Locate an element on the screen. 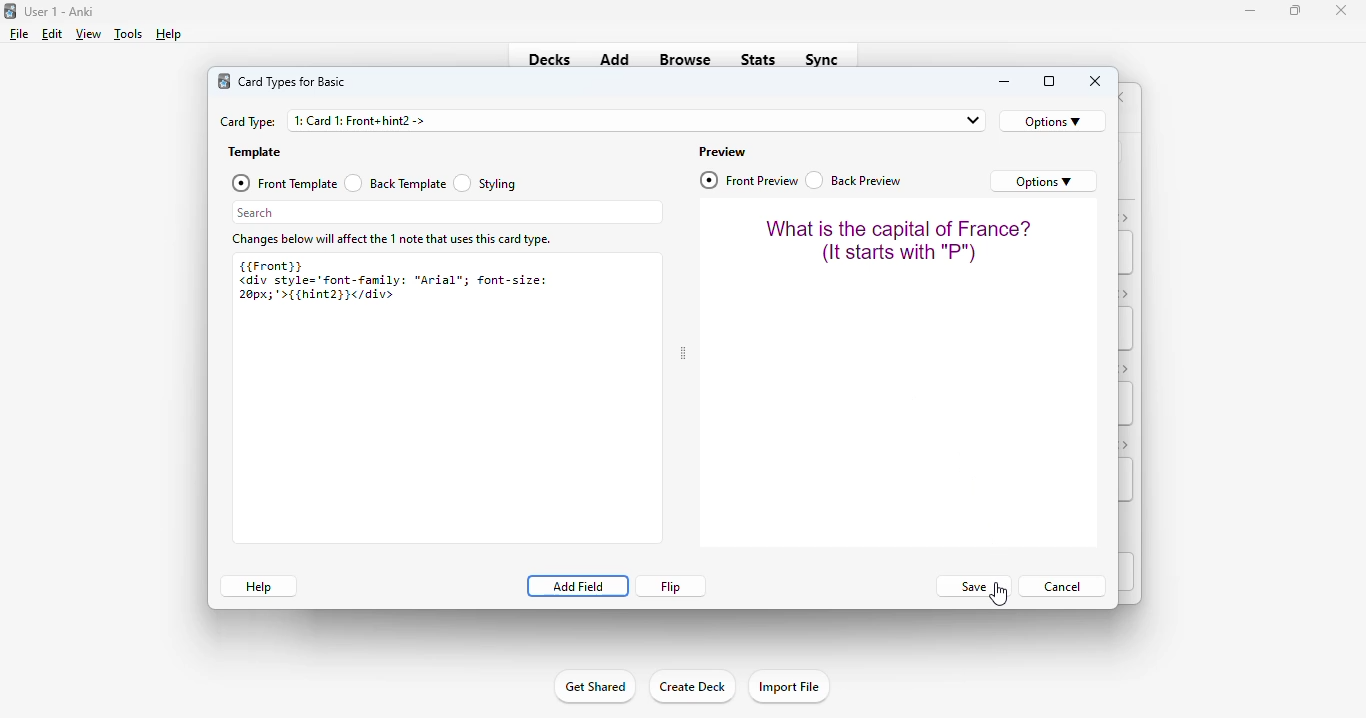 The image size is (1366, 718). close is located at coordinates (1341, 10).